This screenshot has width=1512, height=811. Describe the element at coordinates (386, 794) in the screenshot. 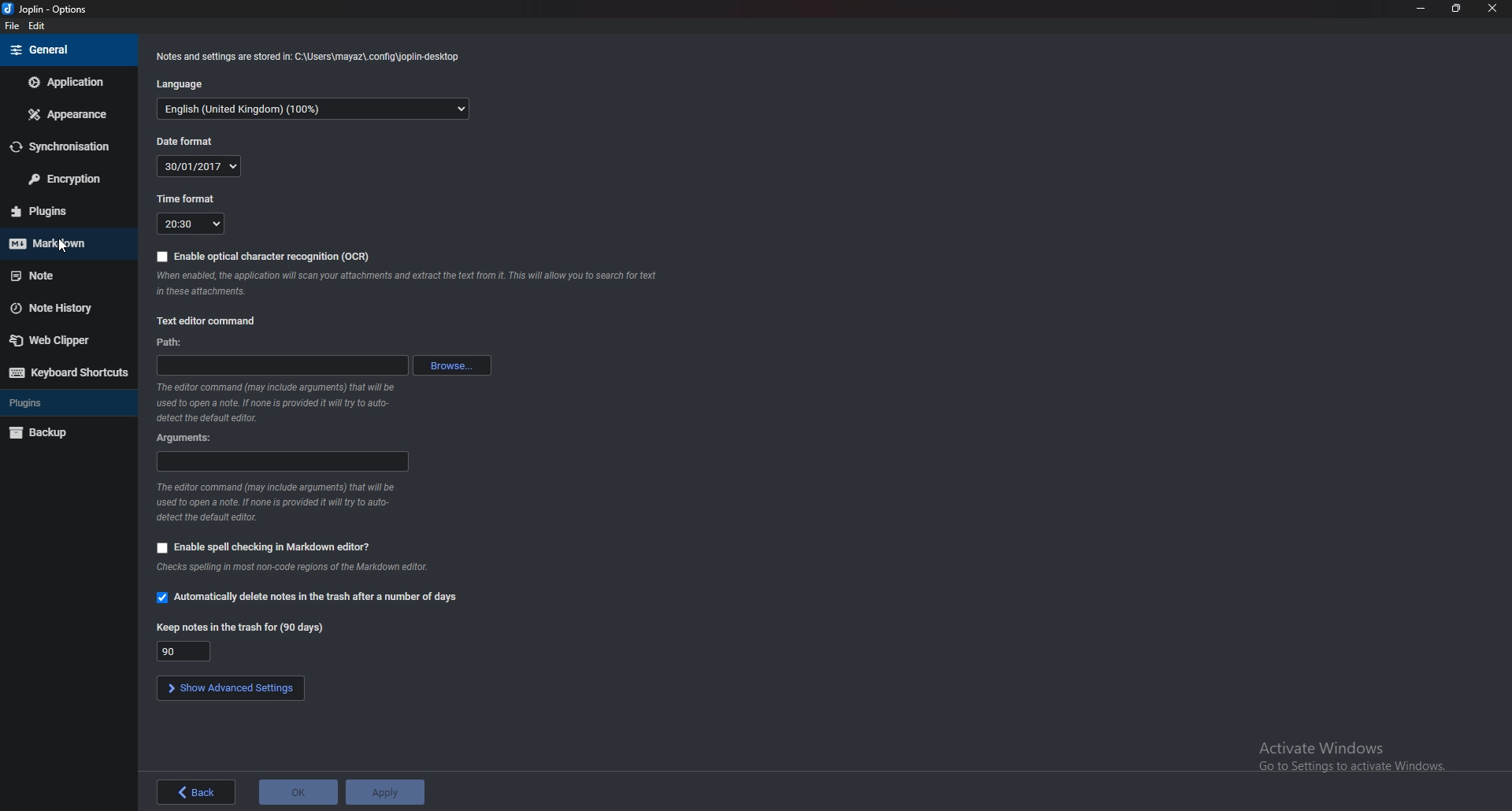

I see `Apply` at that location.